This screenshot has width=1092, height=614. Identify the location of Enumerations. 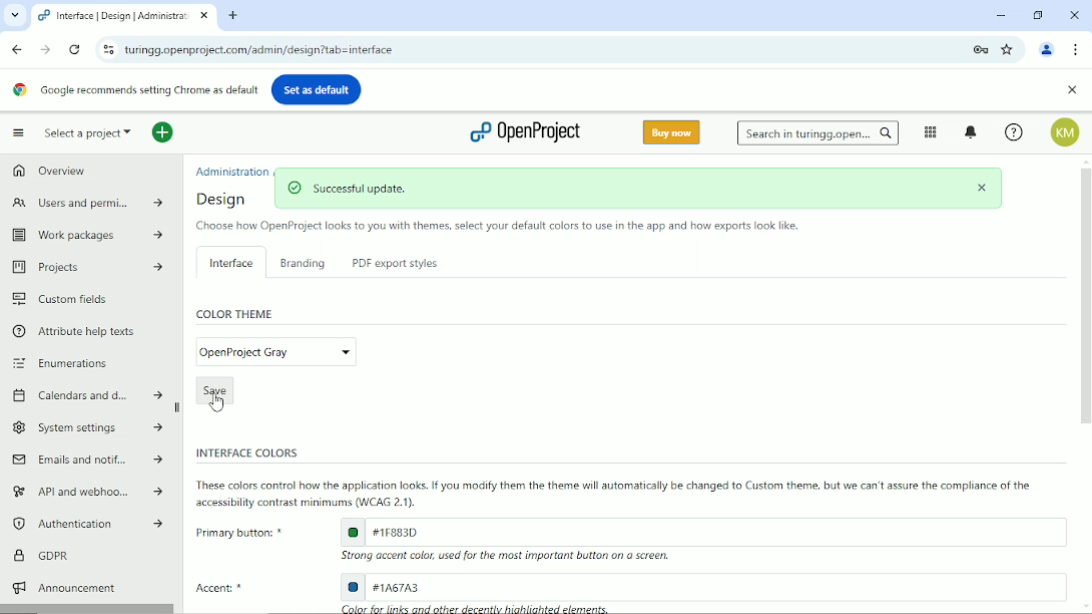
(63, 363).